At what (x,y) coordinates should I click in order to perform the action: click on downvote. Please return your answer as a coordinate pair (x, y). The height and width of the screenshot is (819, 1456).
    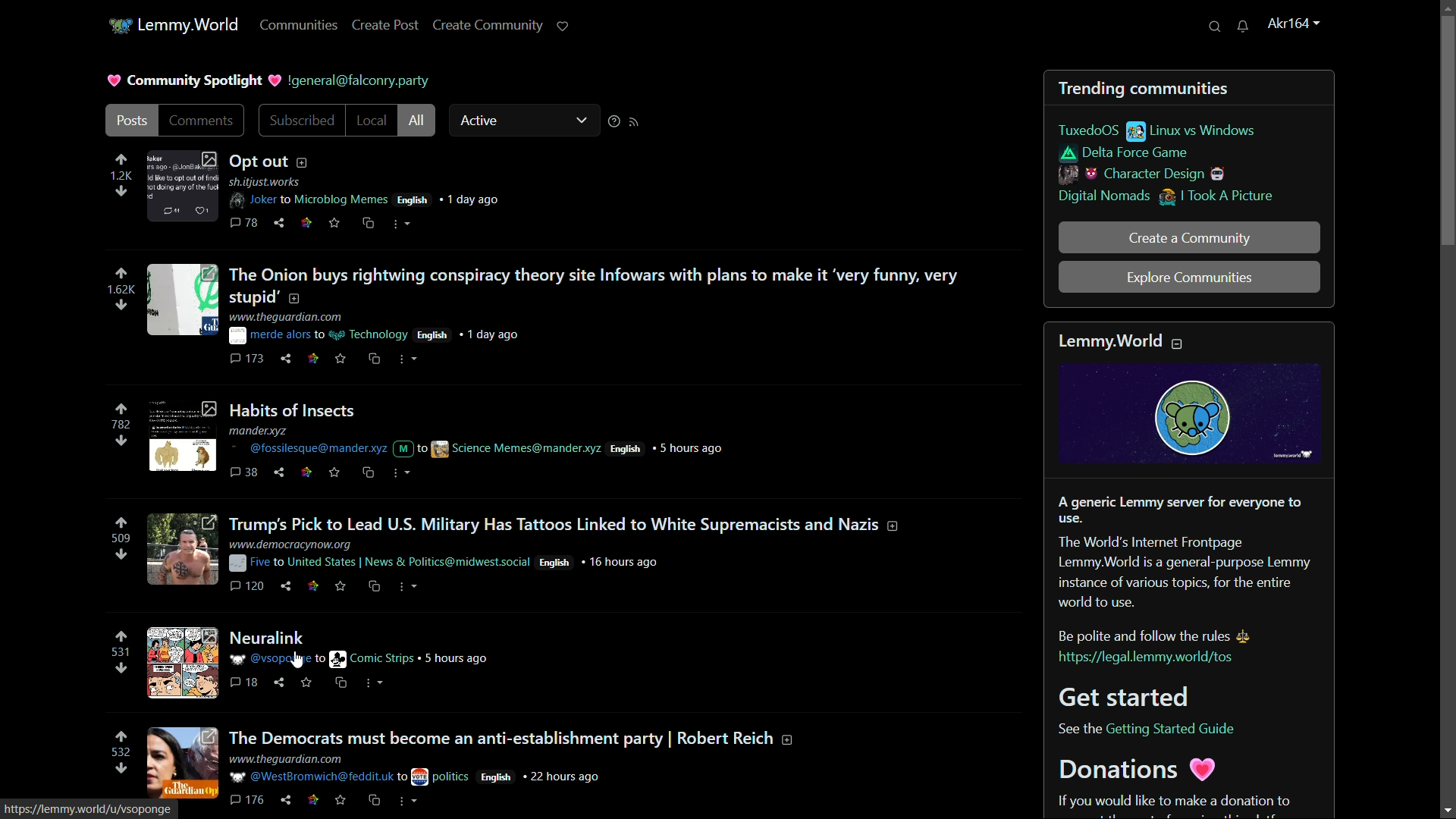
    Looking at the image, I should click on (121, 441).